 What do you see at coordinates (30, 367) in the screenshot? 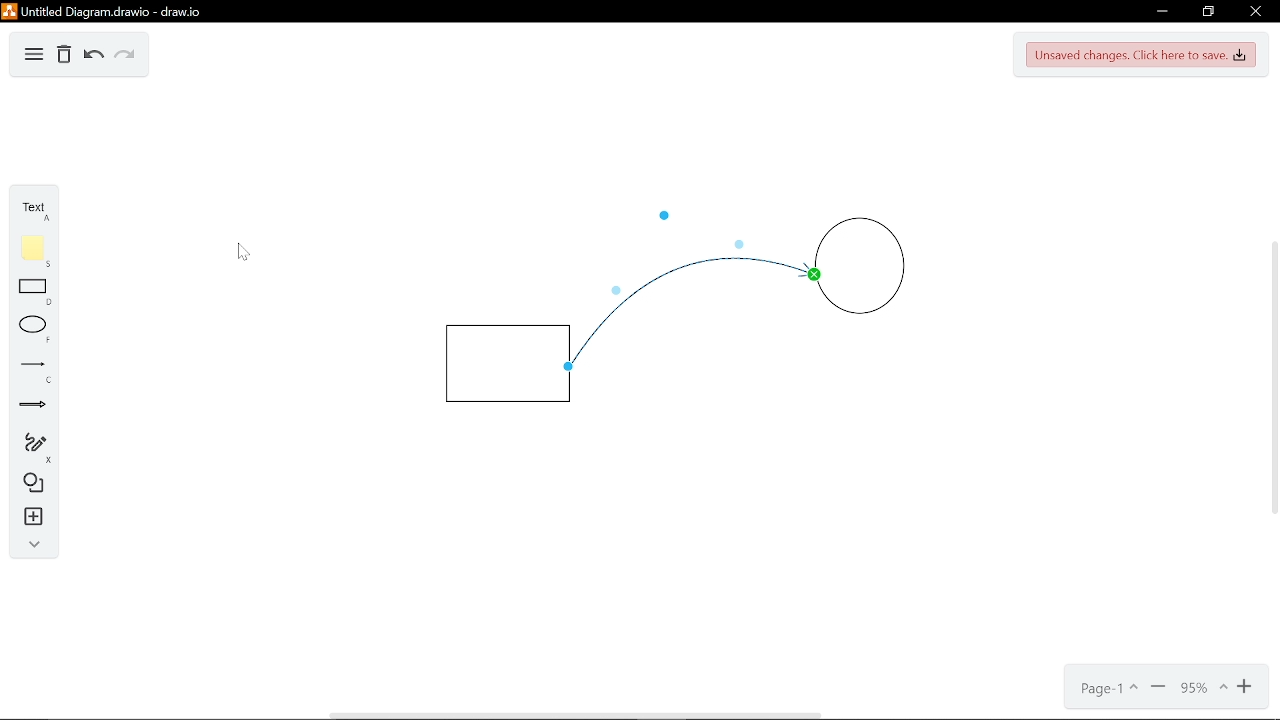
I see `Line` at bounding box center [30, 367].